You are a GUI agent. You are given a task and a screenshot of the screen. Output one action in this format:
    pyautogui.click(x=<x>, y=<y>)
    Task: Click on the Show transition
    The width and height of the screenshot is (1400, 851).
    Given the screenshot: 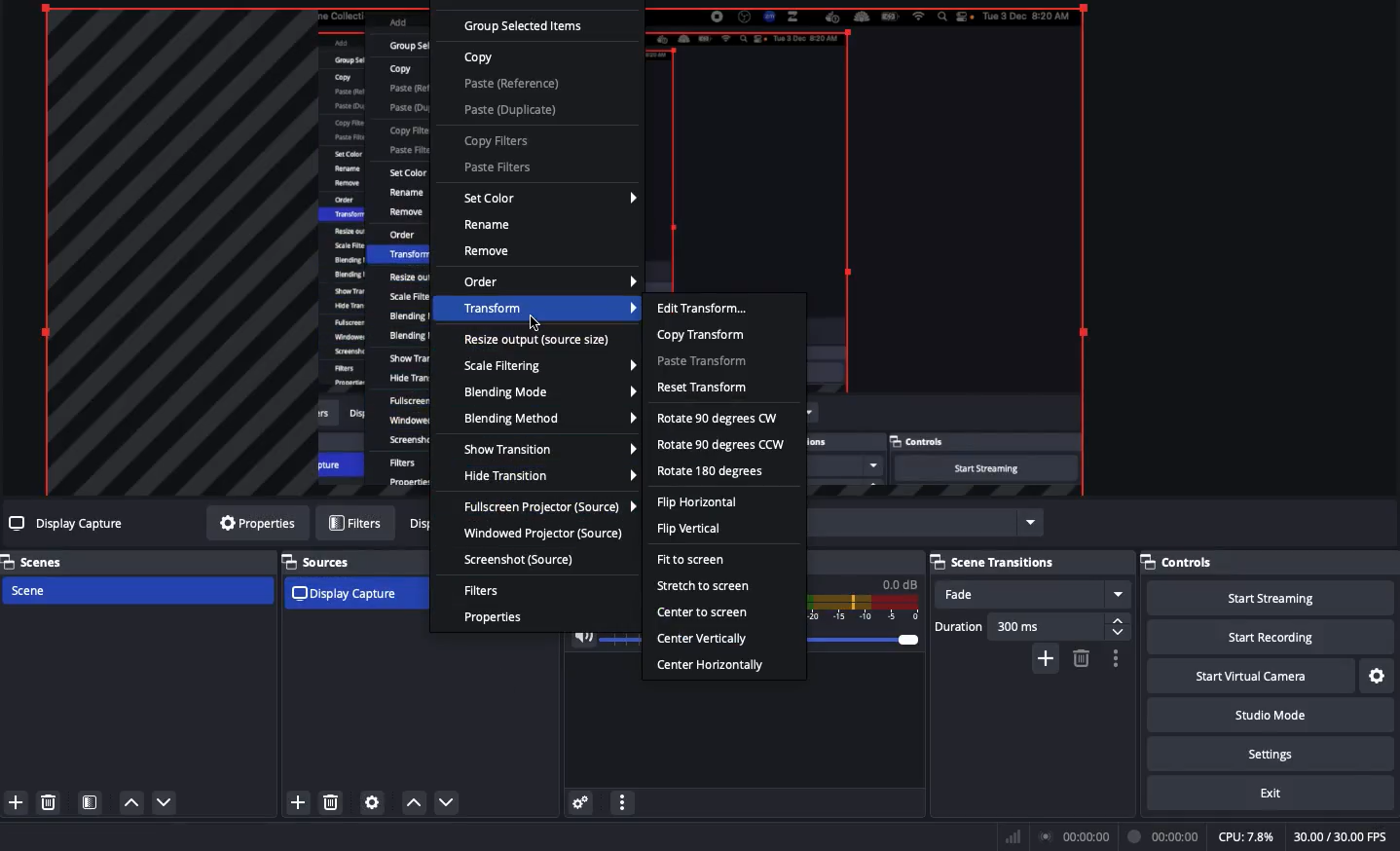 What is the action you would take?
    pyautogui.click(x=550, y=450)
    